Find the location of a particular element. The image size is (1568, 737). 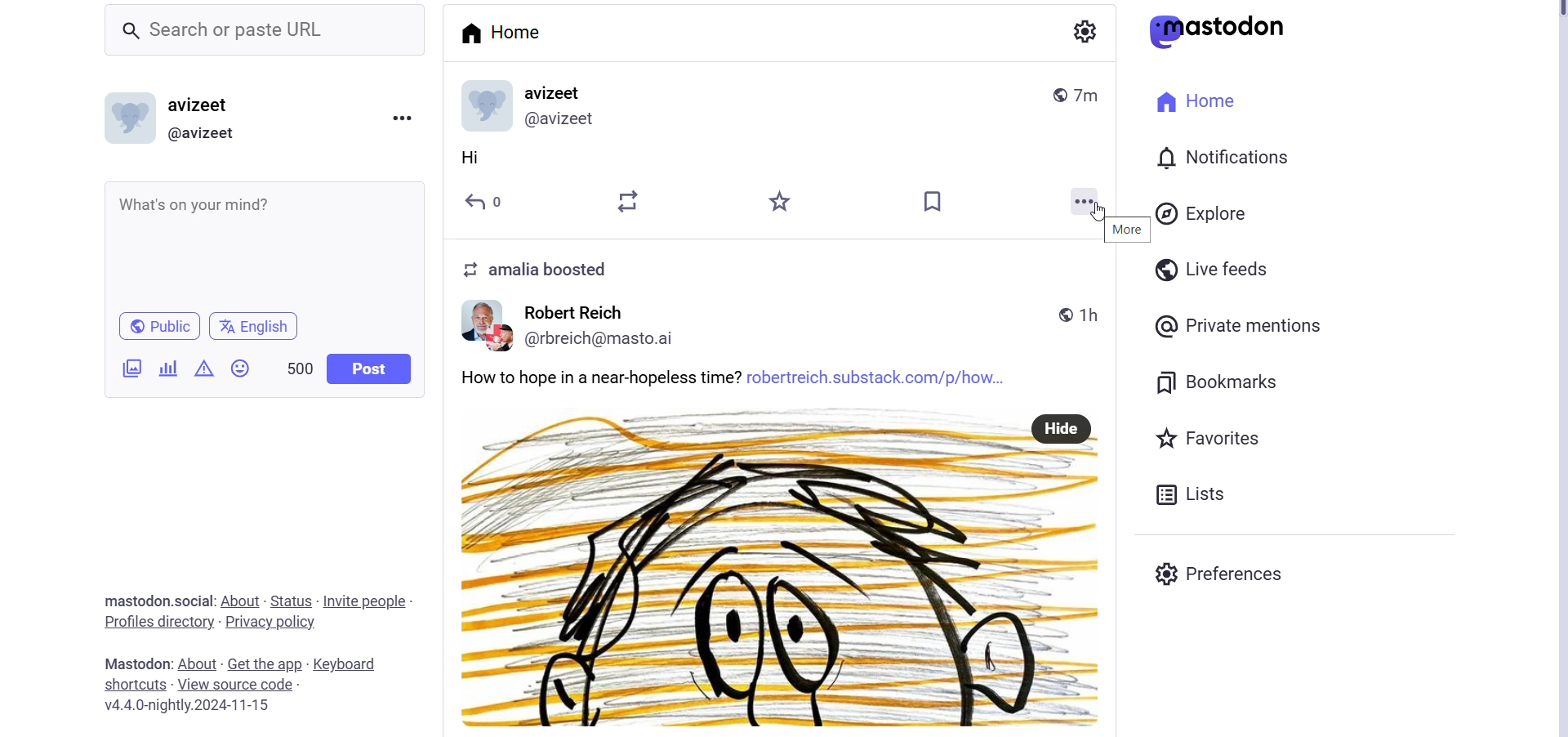

Add Poll is located at coordinates (165, 366).